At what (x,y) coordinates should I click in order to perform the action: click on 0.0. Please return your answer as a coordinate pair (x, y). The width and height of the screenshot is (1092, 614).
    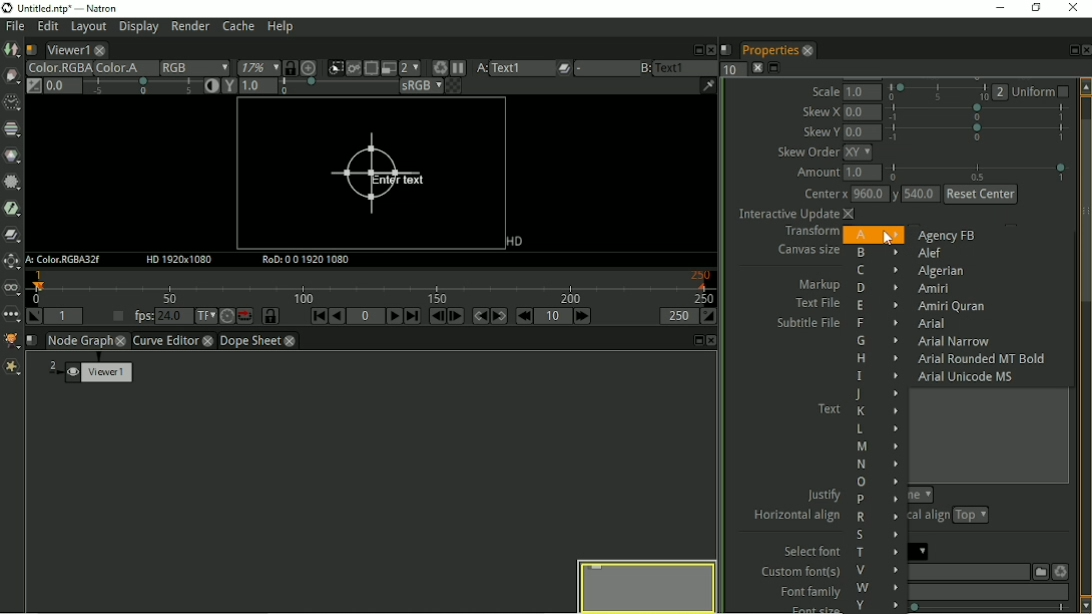
    Looking at the image, I should click on (862, 132).